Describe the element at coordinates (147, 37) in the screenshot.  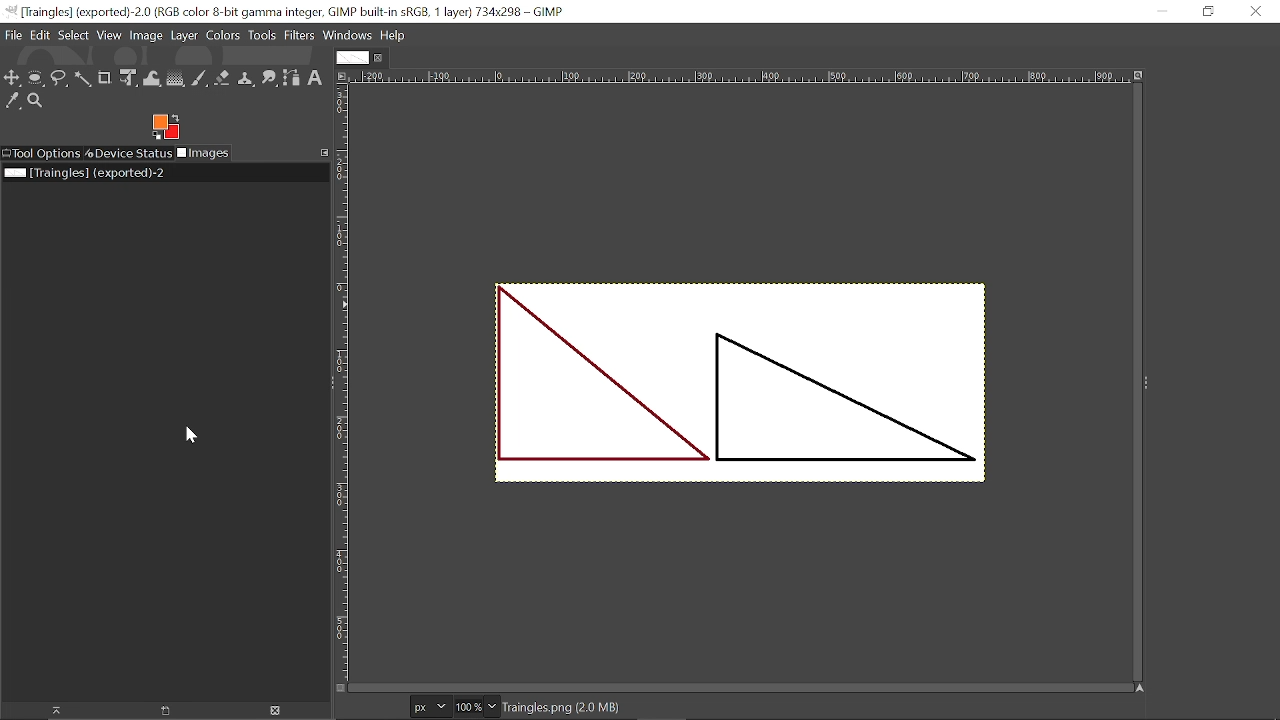
I see `Image` at that location.